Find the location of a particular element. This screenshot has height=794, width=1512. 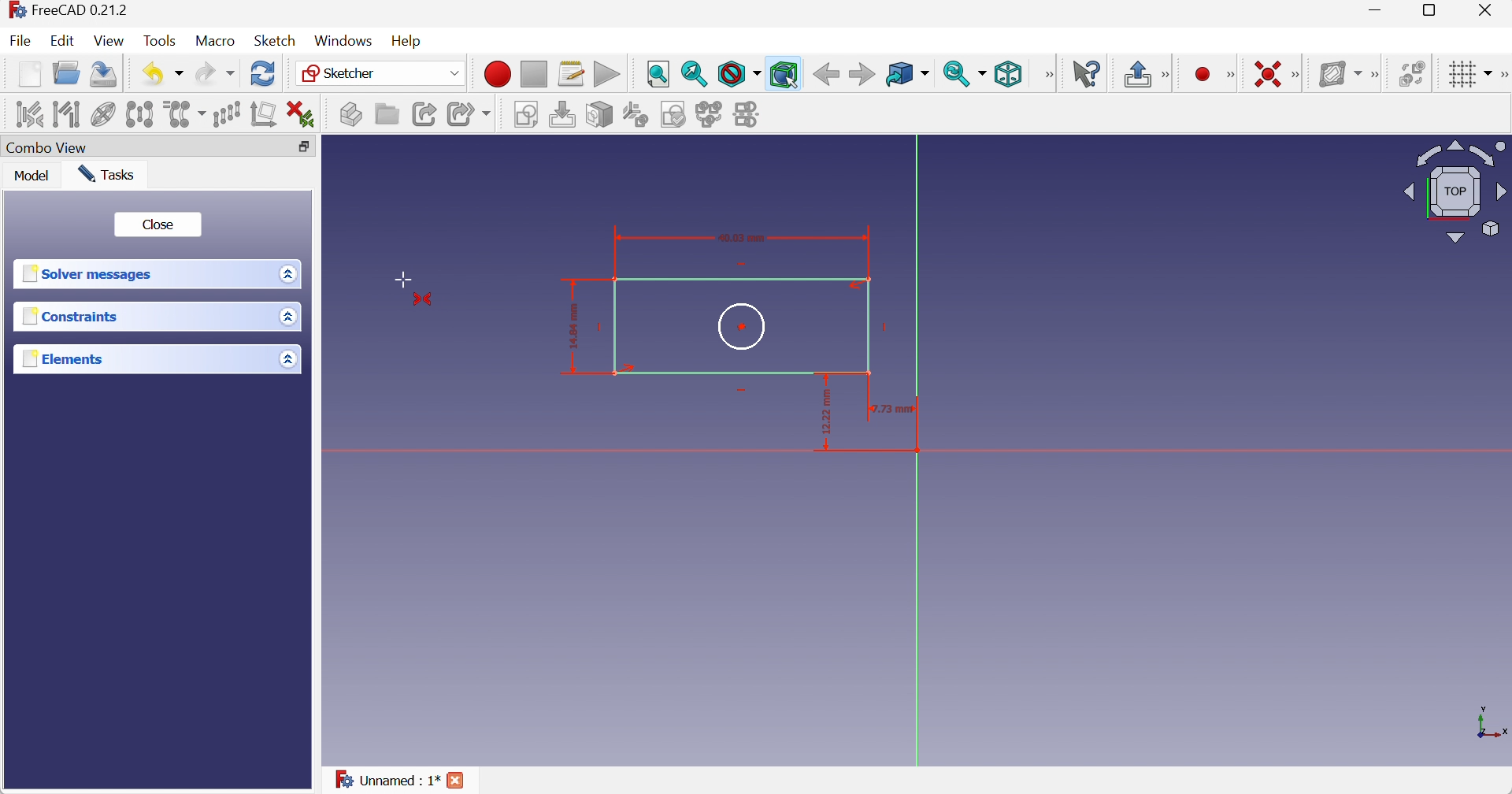

[Sketcher constraints] is located at coordinates (1299, 74).